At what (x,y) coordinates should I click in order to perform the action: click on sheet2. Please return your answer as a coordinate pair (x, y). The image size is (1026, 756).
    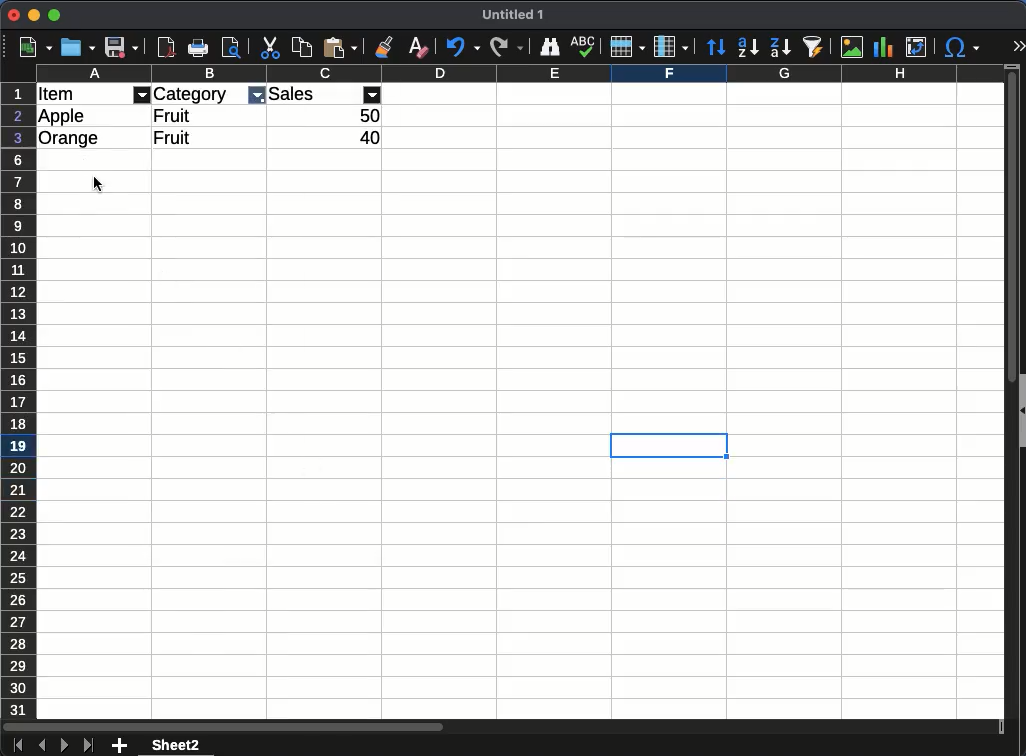
    Looking at the image, I should click on (179, 745).